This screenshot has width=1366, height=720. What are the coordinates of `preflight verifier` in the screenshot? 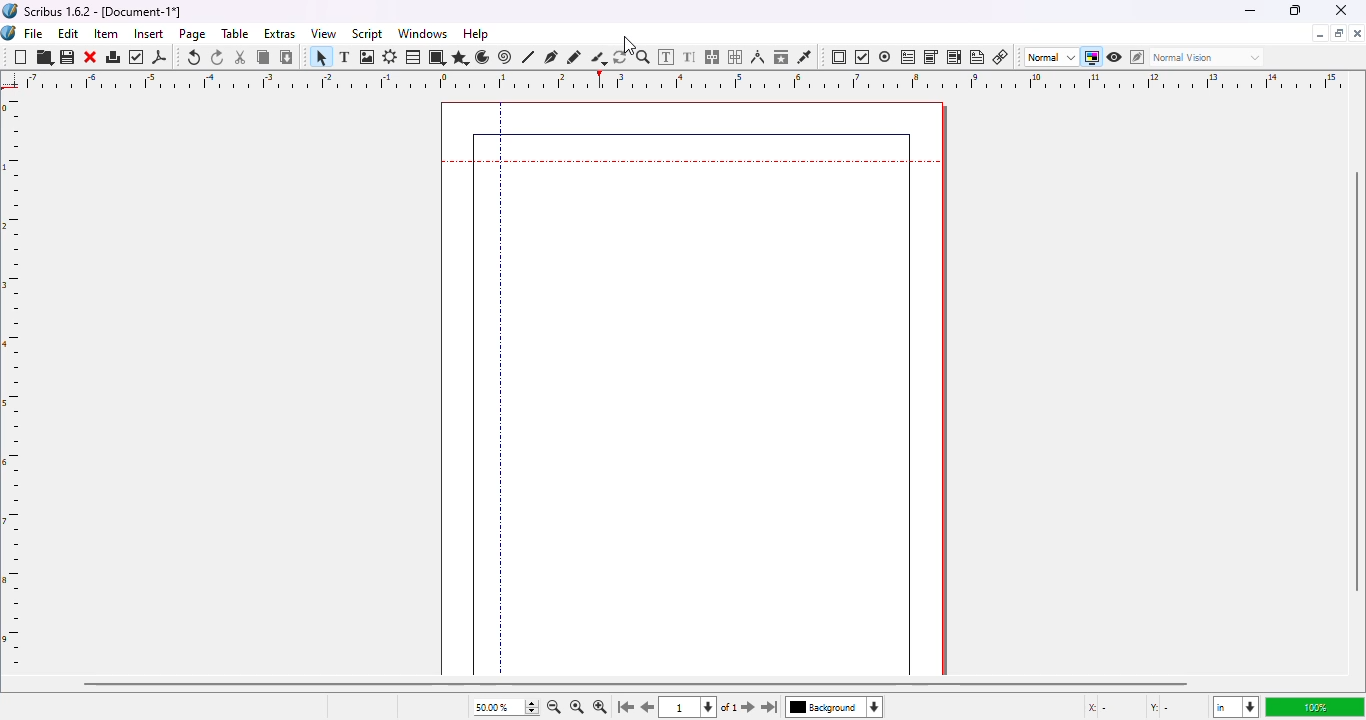 It's located at (138, 57).